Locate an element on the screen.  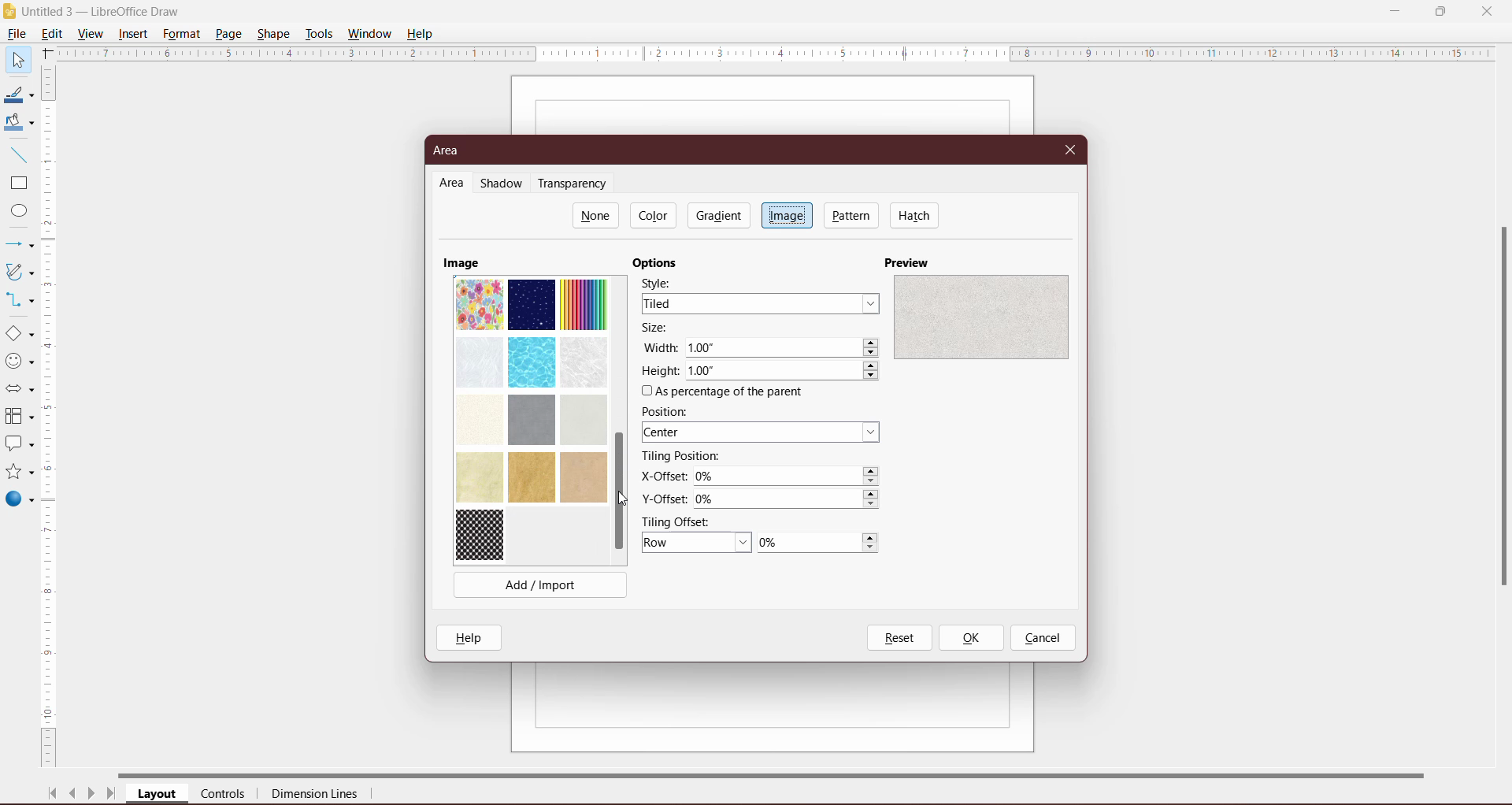
Stars and Banners is located at coordinates (18, 473).